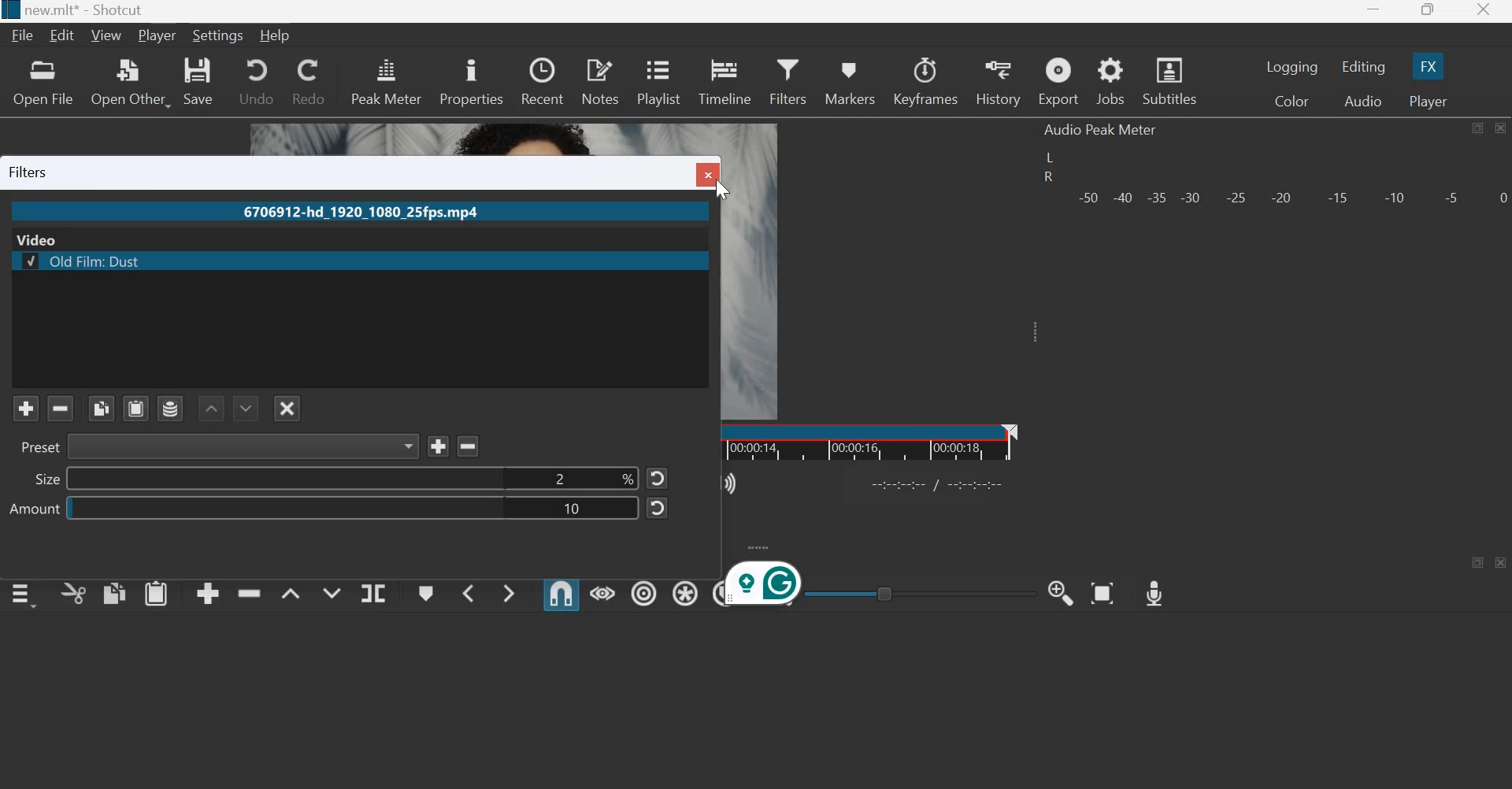  I want to click on Help, so click(280, 34).